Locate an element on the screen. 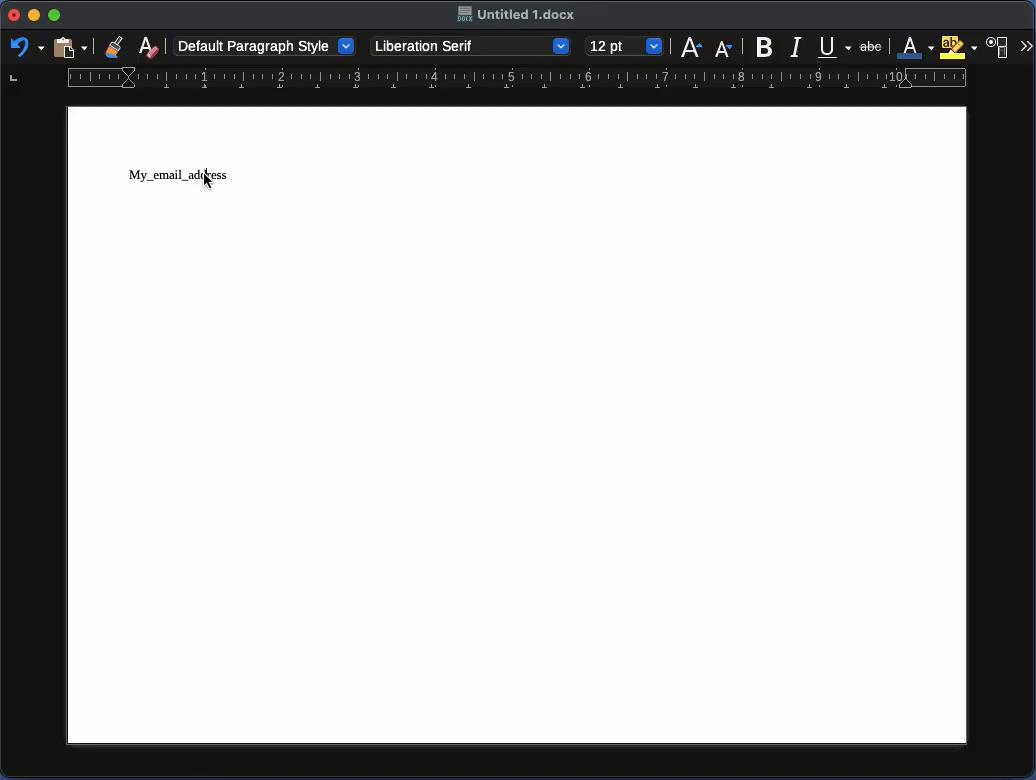 This screenshot has width=1036, height=780. Size increase is located at coordinates (691, 47).